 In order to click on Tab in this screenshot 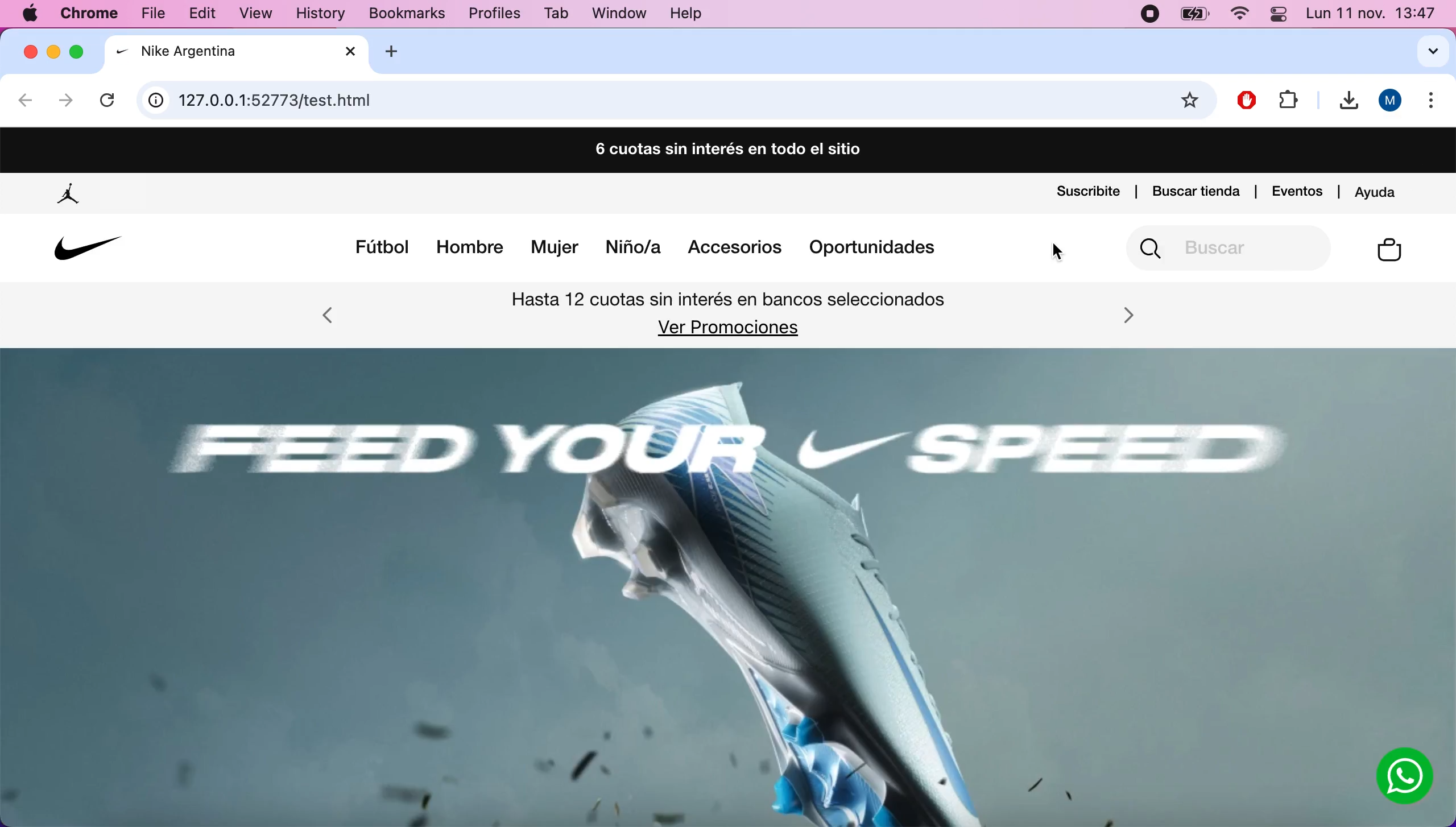, I will do `click(558, 13)`.